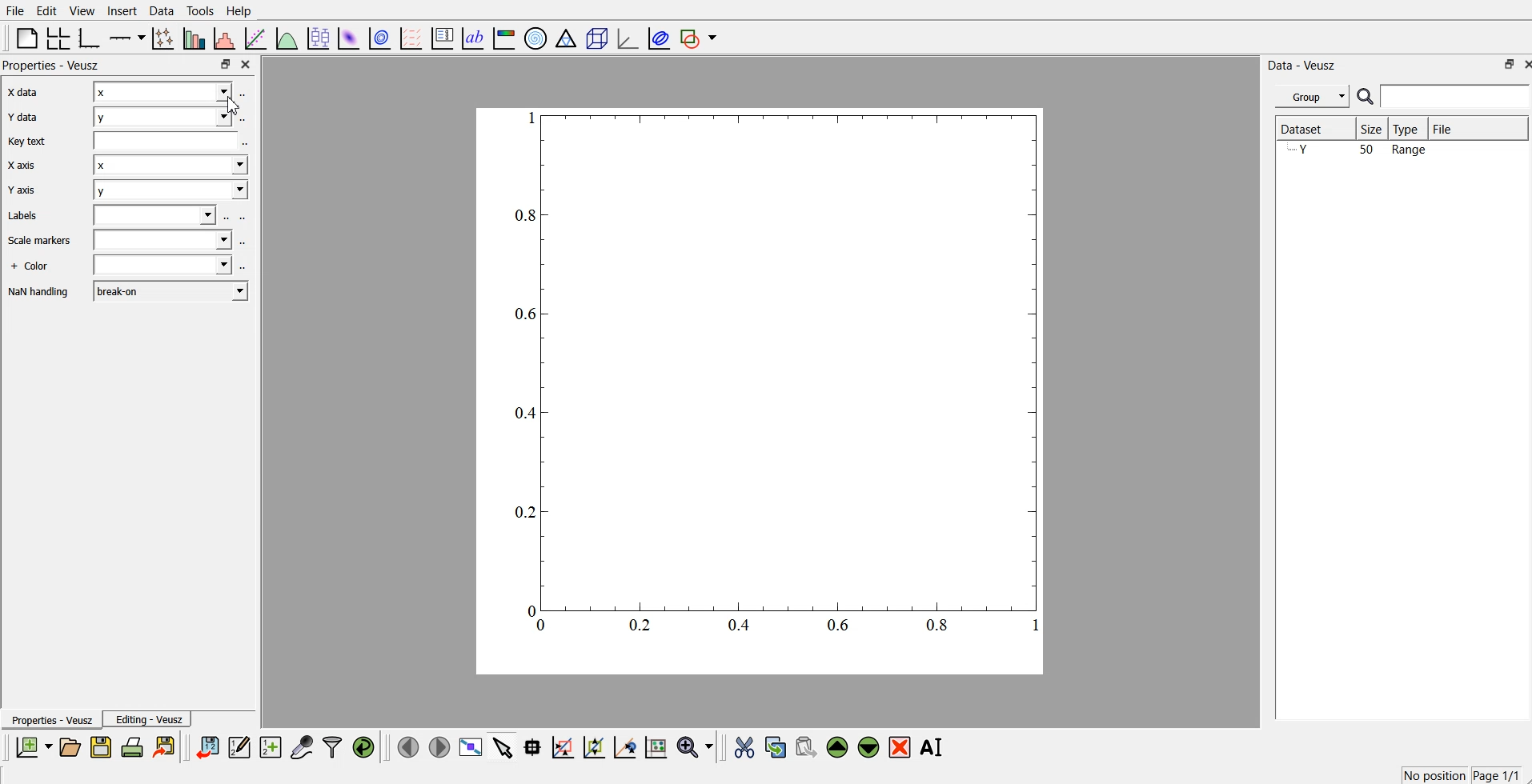 The width and height of the screenshot is (1532, 784). Describe the element at coordinates (38, 142) in the screenshot. I see `key text` at that location.